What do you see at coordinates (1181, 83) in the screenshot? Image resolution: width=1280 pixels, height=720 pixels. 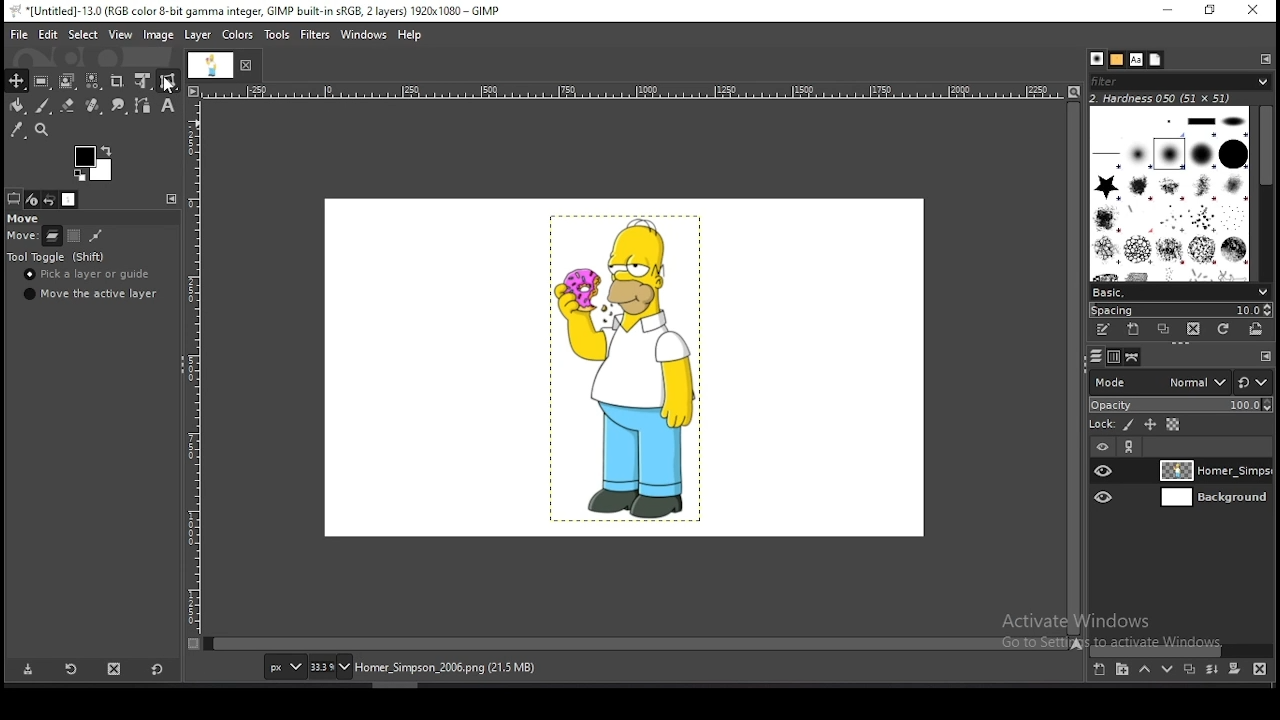 I see `filter brushes` at bounding box center [1181, 83].